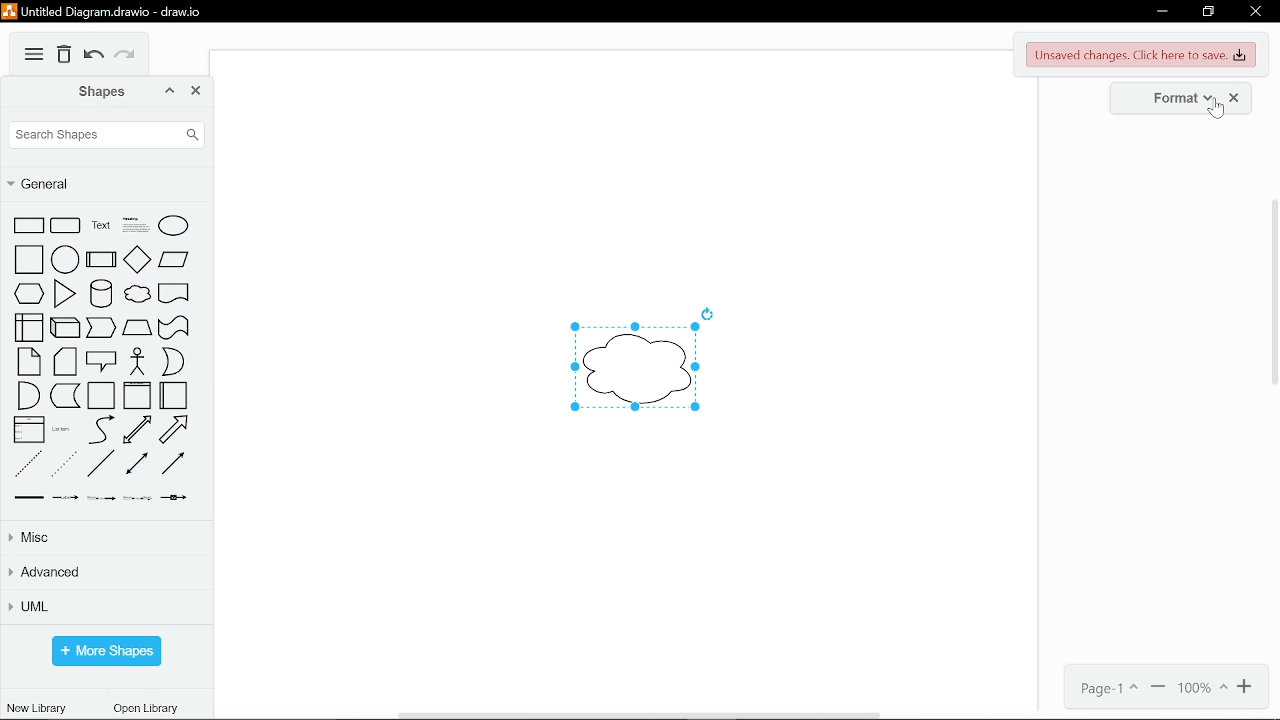 The width and height of the screenshot is (1280, 720). I want to click on circular rectangle, so click(66, 227).